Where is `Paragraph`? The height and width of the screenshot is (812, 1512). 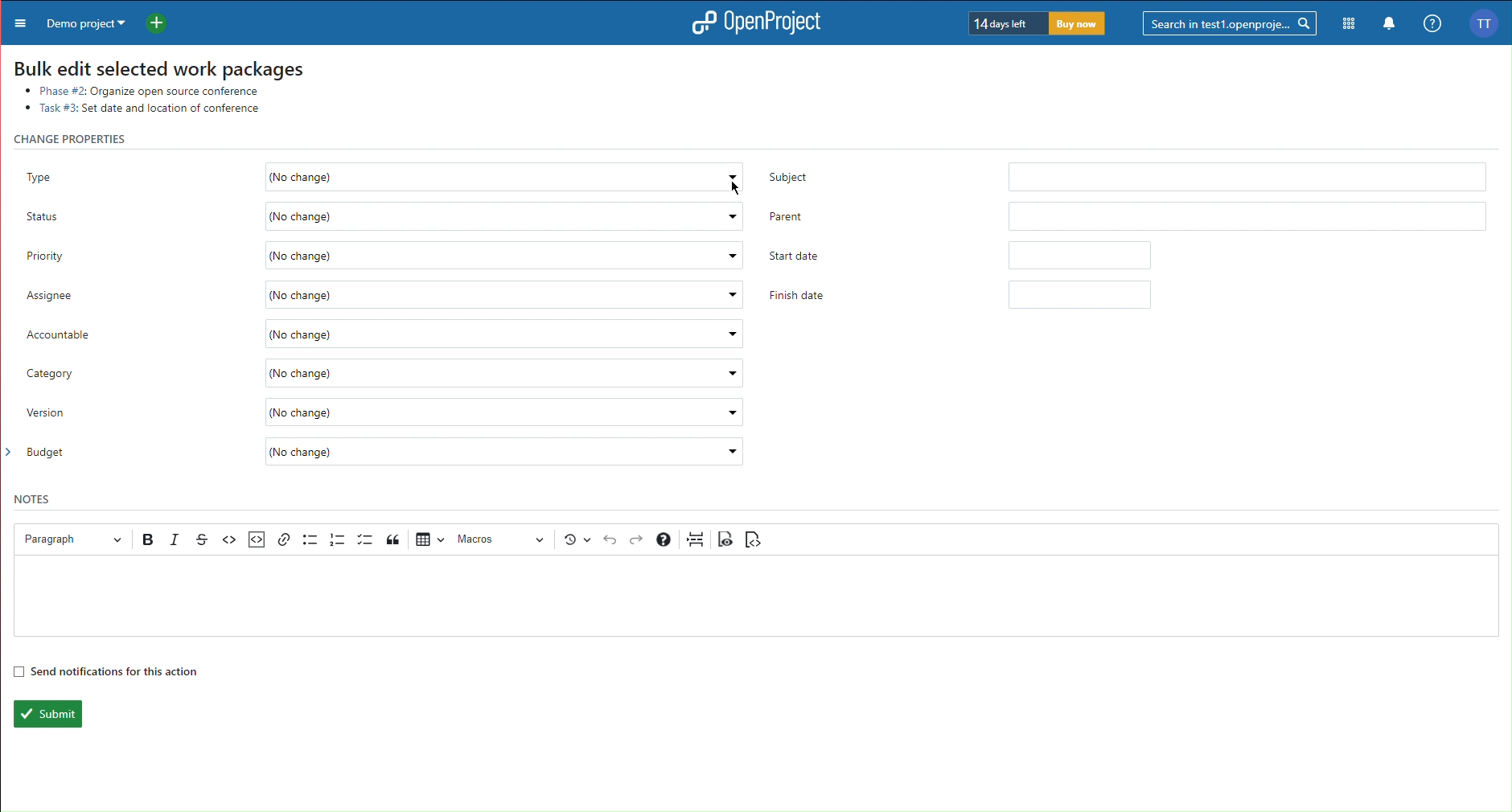
Paragraph is located at coordinates (68, 539).